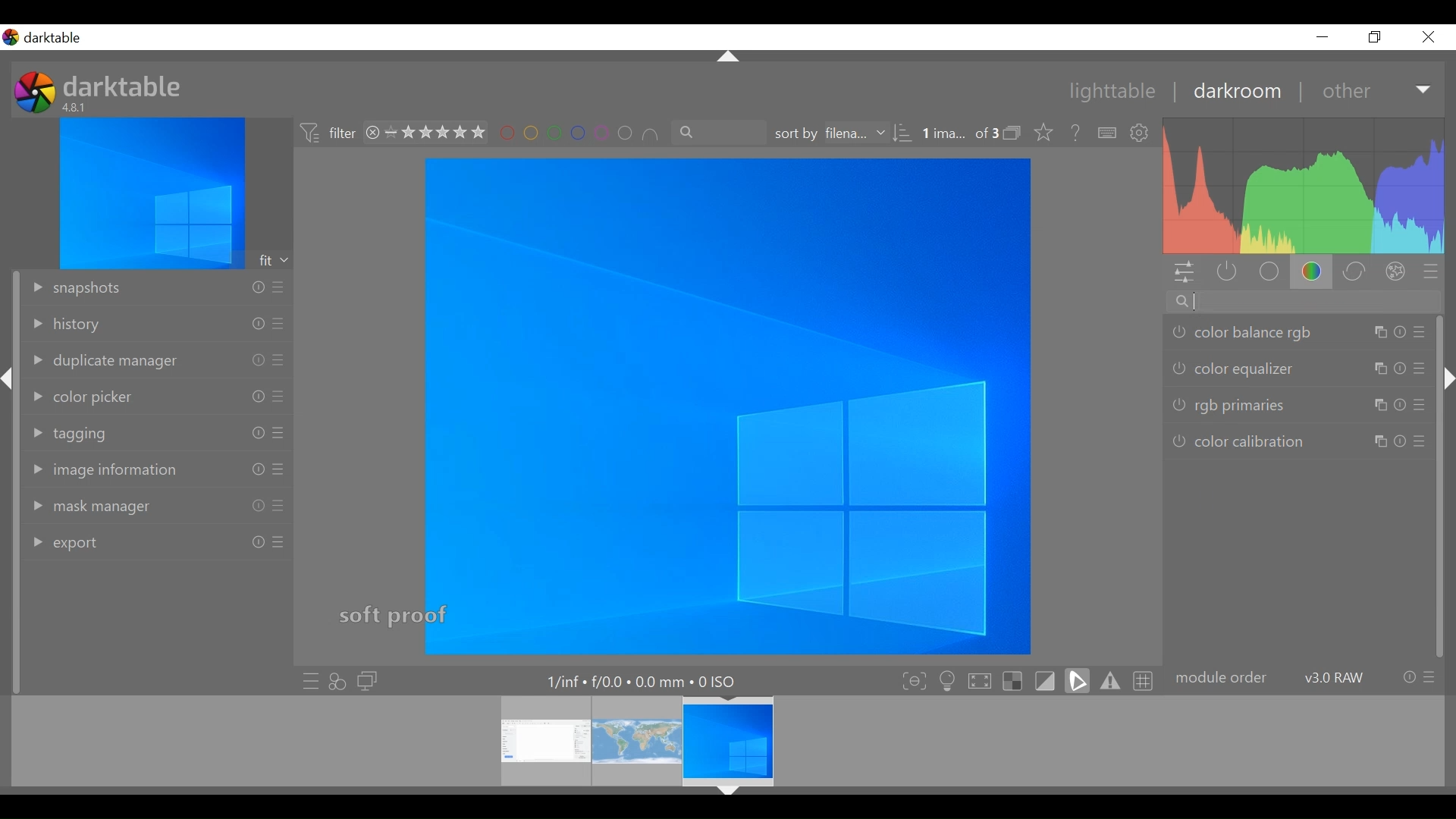 The width and height of the screenshot is (1456, 819). What do you see at coordinates (81, 398) in the screenshot?
I see `color picker` at bounding box center [81, 398].